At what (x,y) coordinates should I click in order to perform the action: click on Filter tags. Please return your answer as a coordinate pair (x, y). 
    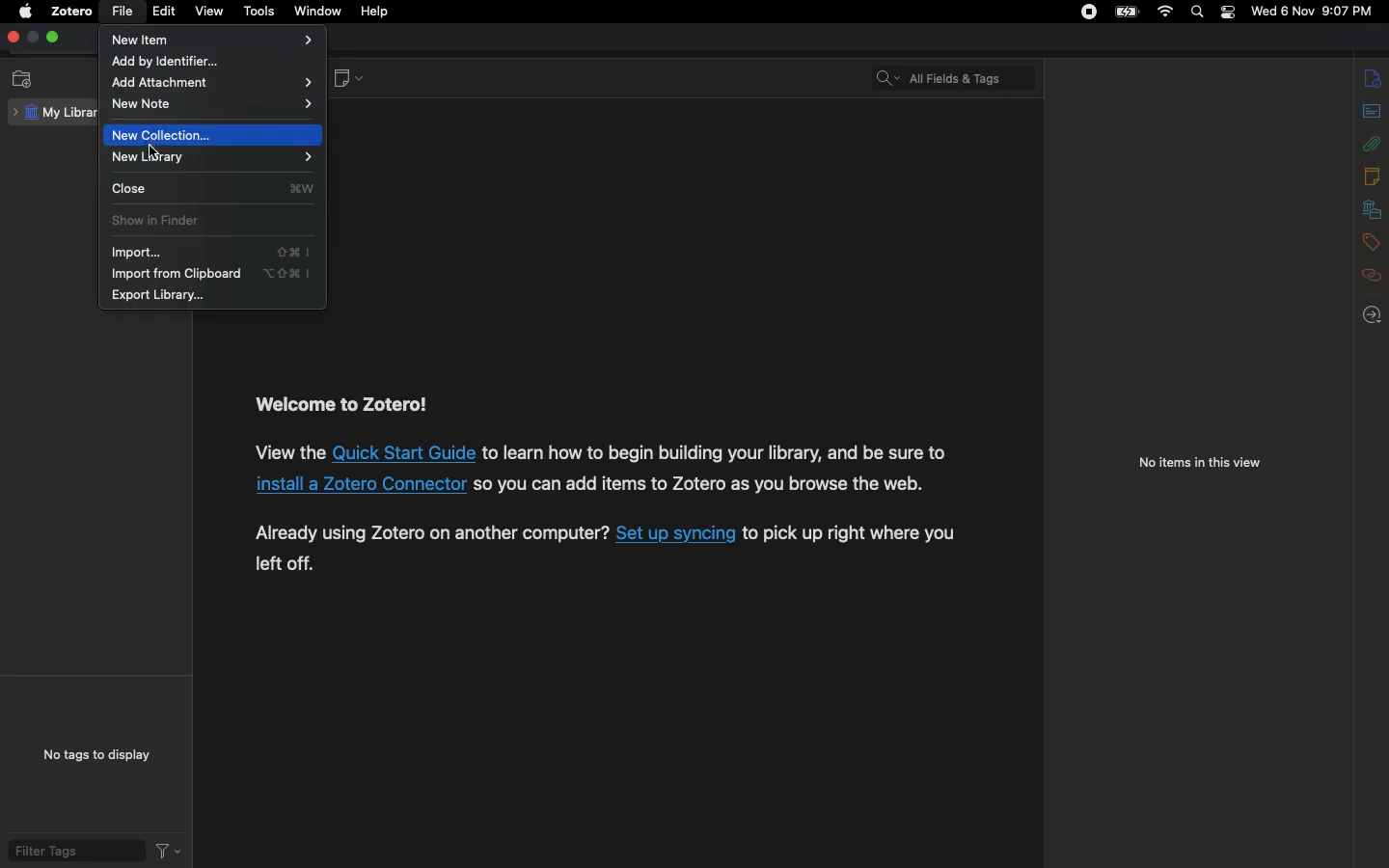
    Looking at the image, I should click on (72, 851).